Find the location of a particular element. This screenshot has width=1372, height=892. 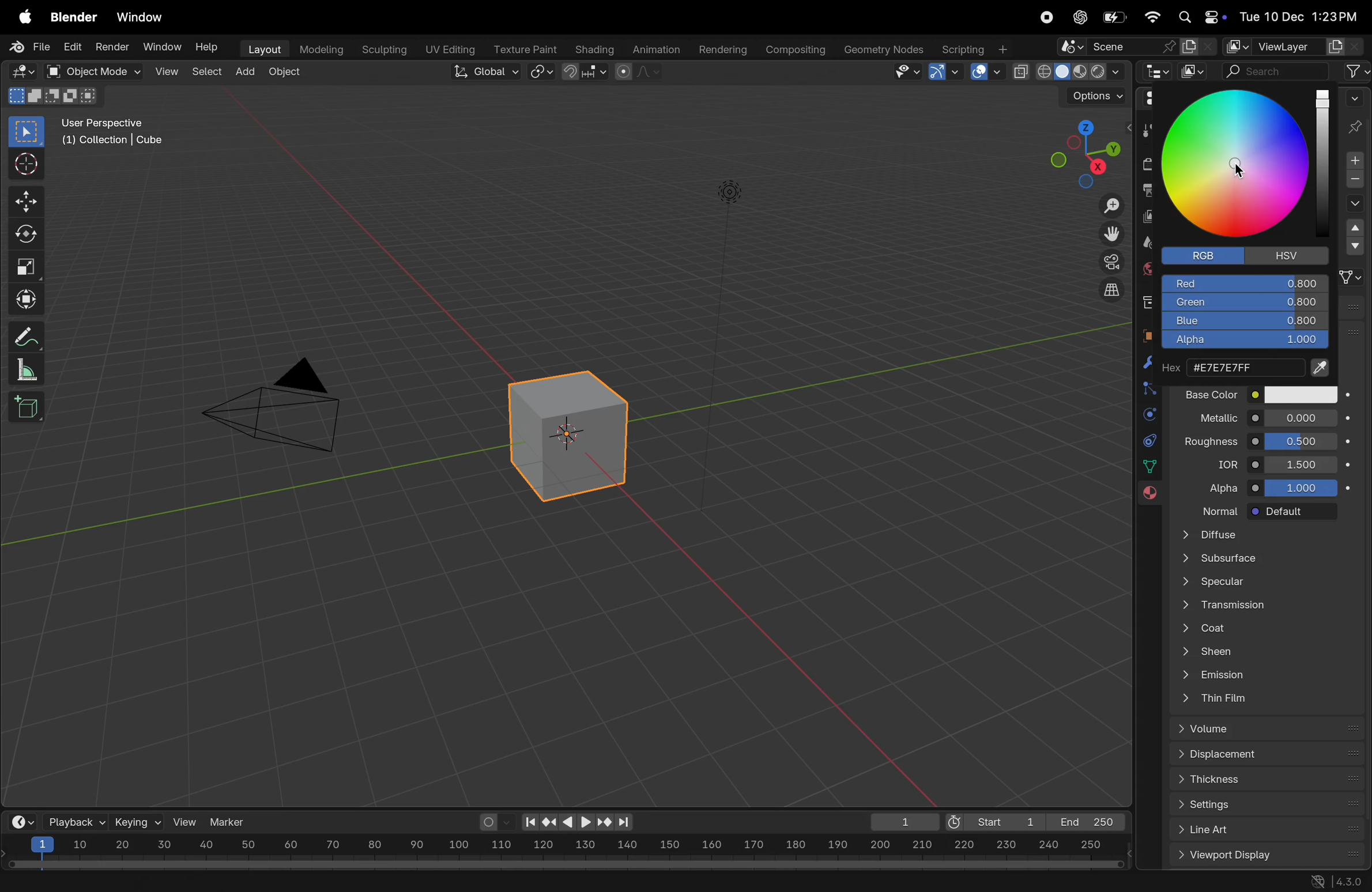

editor type is located at coordinates (18, 70).